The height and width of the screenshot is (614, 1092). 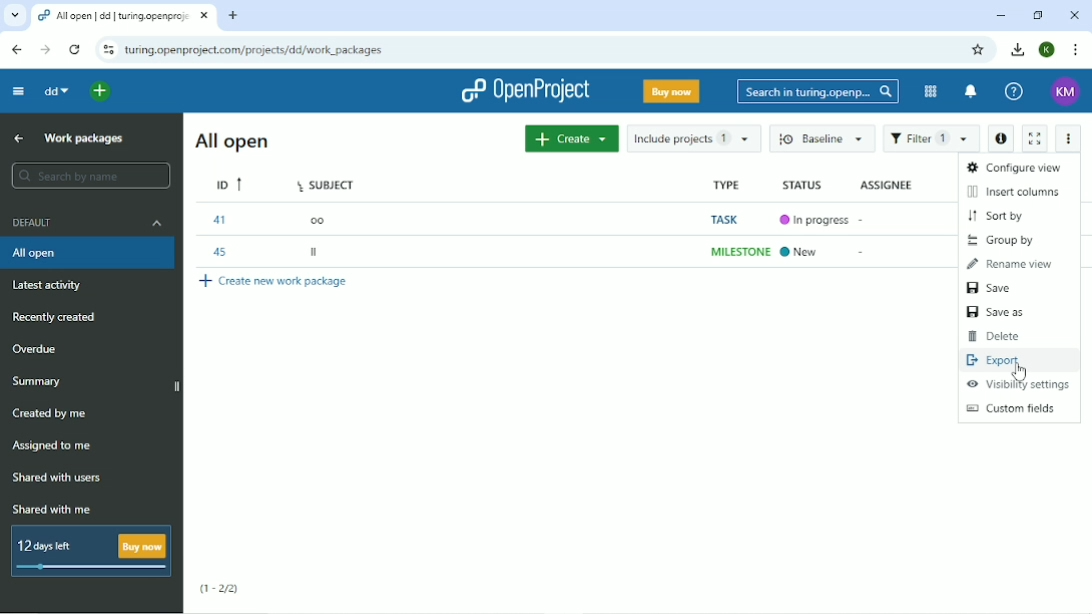 What do you see at coordinates (15, 17) in the screenshot?
I see `Search tabs` at bounding box center [15, 17].